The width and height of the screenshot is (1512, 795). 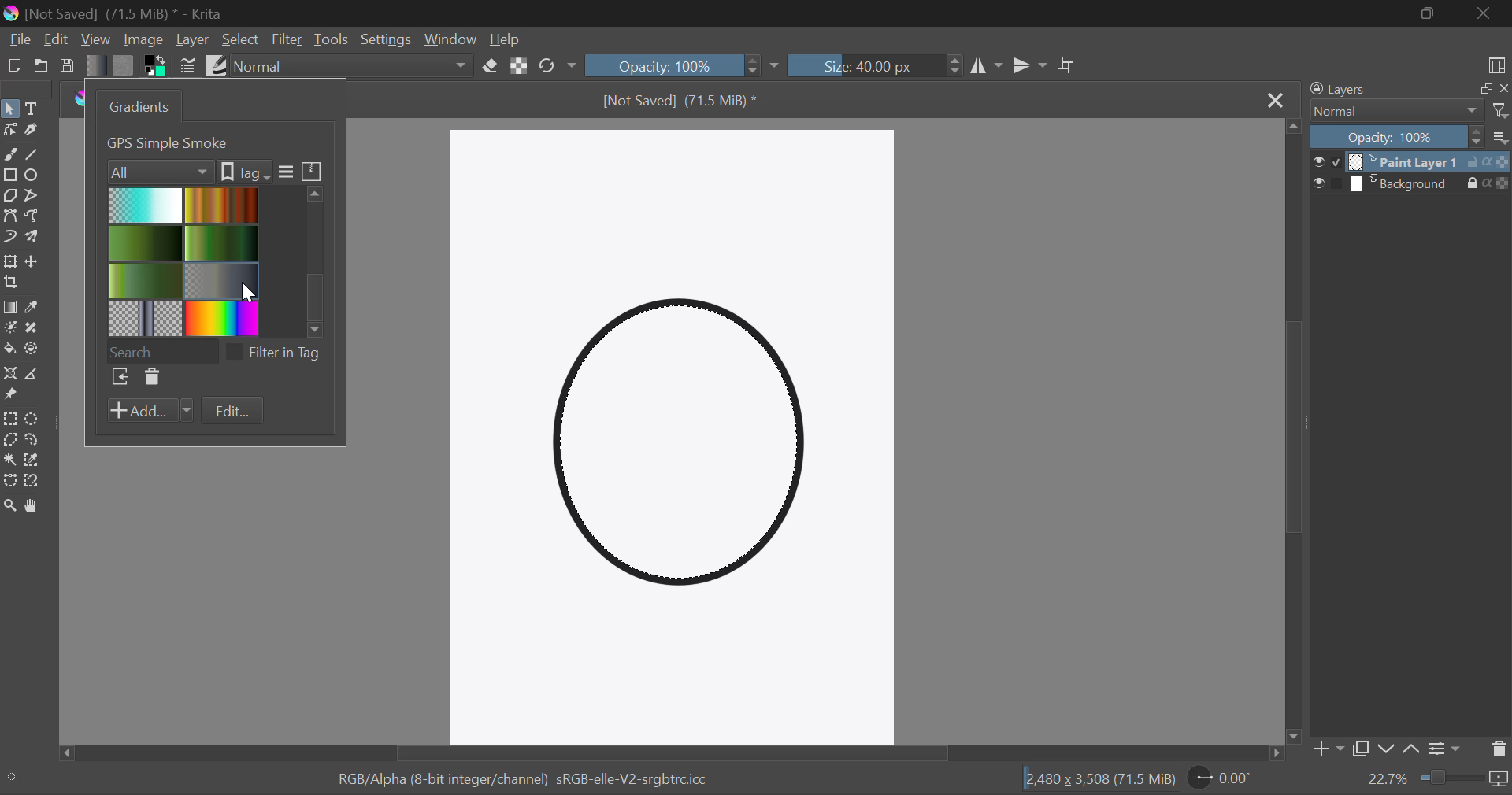 What do you see at coordinates (250, 294) in the screenshot?
I see `cursor` at bounding box center [250, 294].